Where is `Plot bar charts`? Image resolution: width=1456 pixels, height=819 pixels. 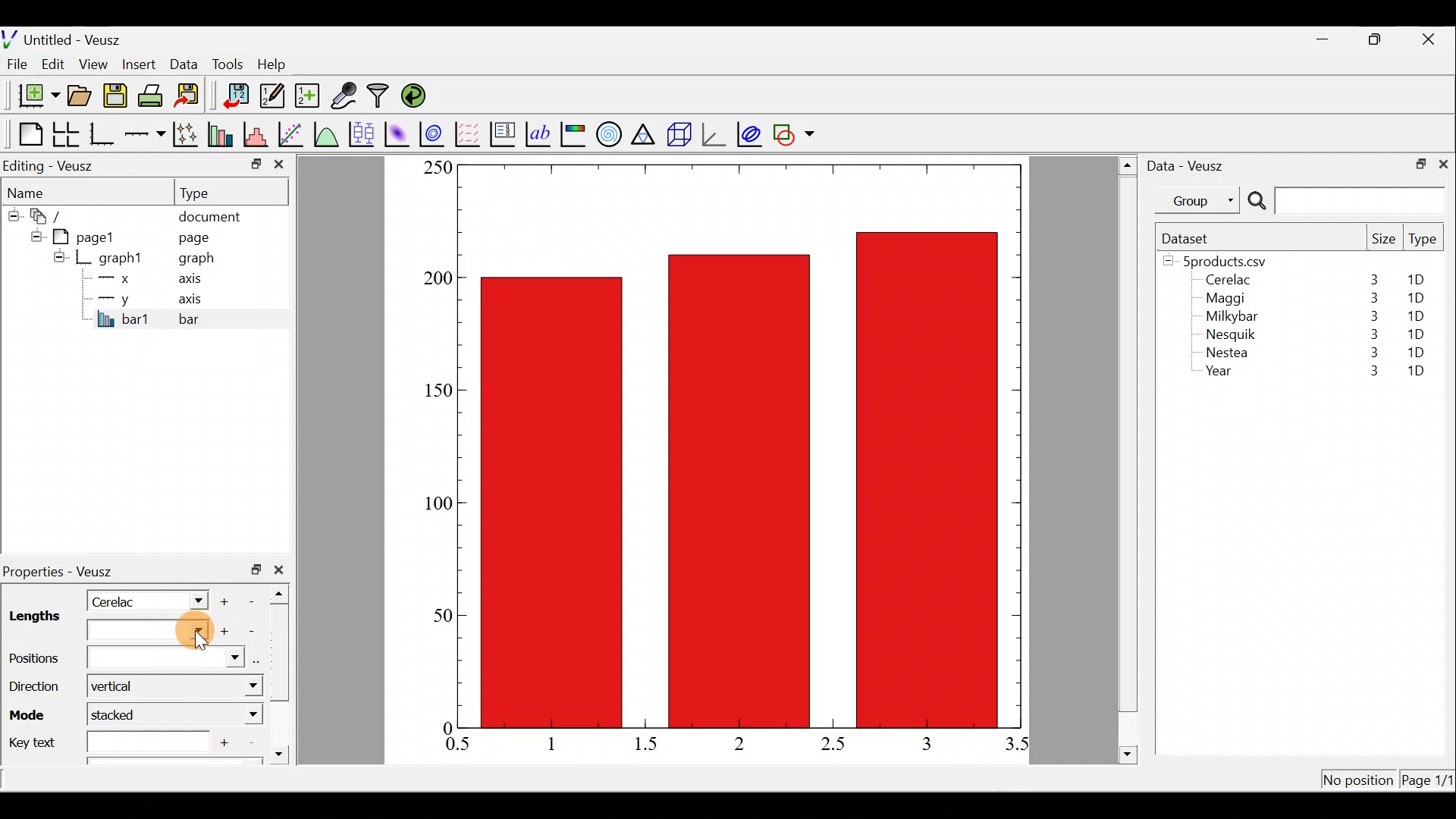 Plot bar charts is located at coordinates (222, 133).